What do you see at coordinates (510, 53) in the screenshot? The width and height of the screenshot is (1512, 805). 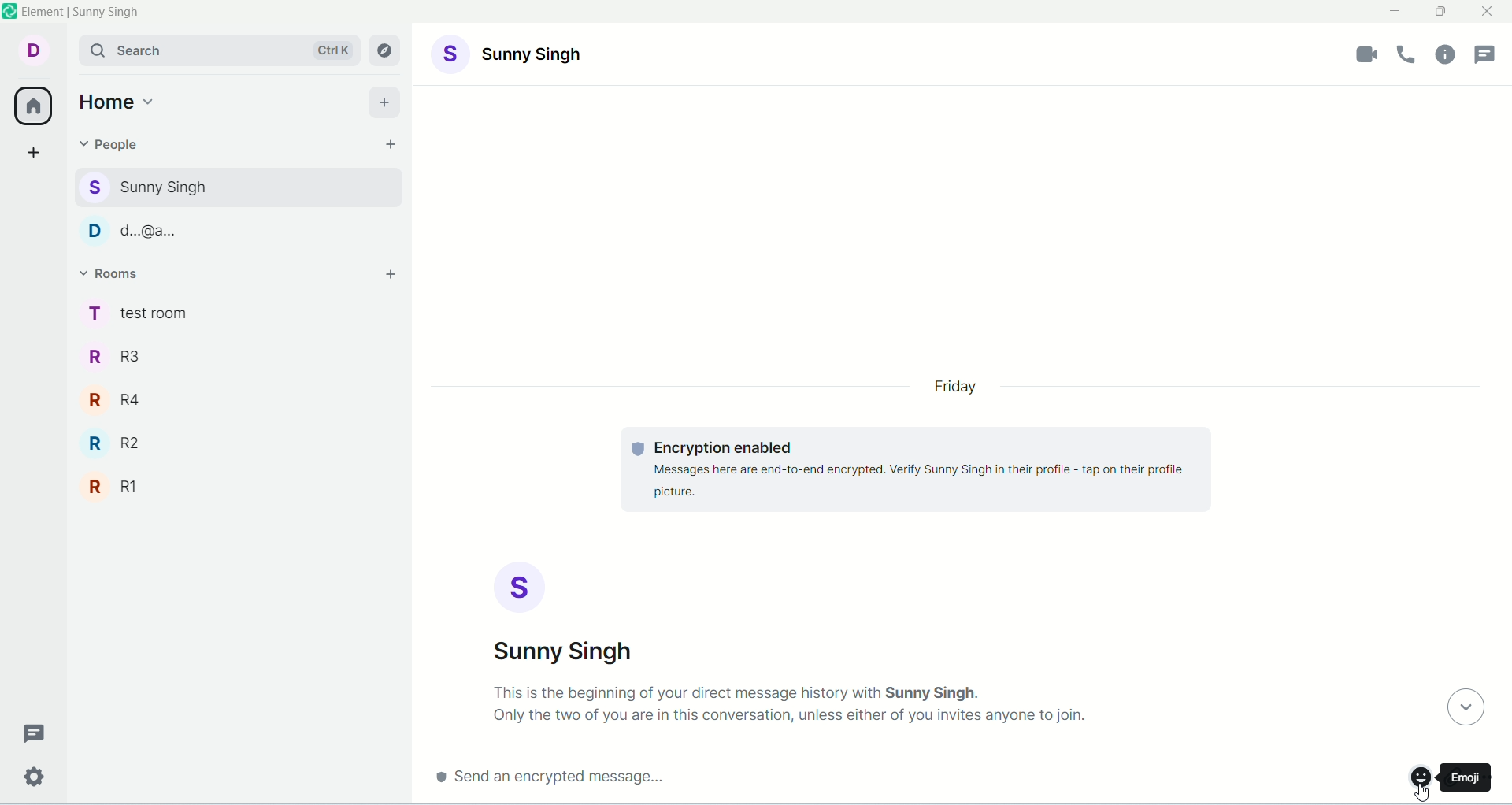 I see `account` at bounding box center [510, 53].